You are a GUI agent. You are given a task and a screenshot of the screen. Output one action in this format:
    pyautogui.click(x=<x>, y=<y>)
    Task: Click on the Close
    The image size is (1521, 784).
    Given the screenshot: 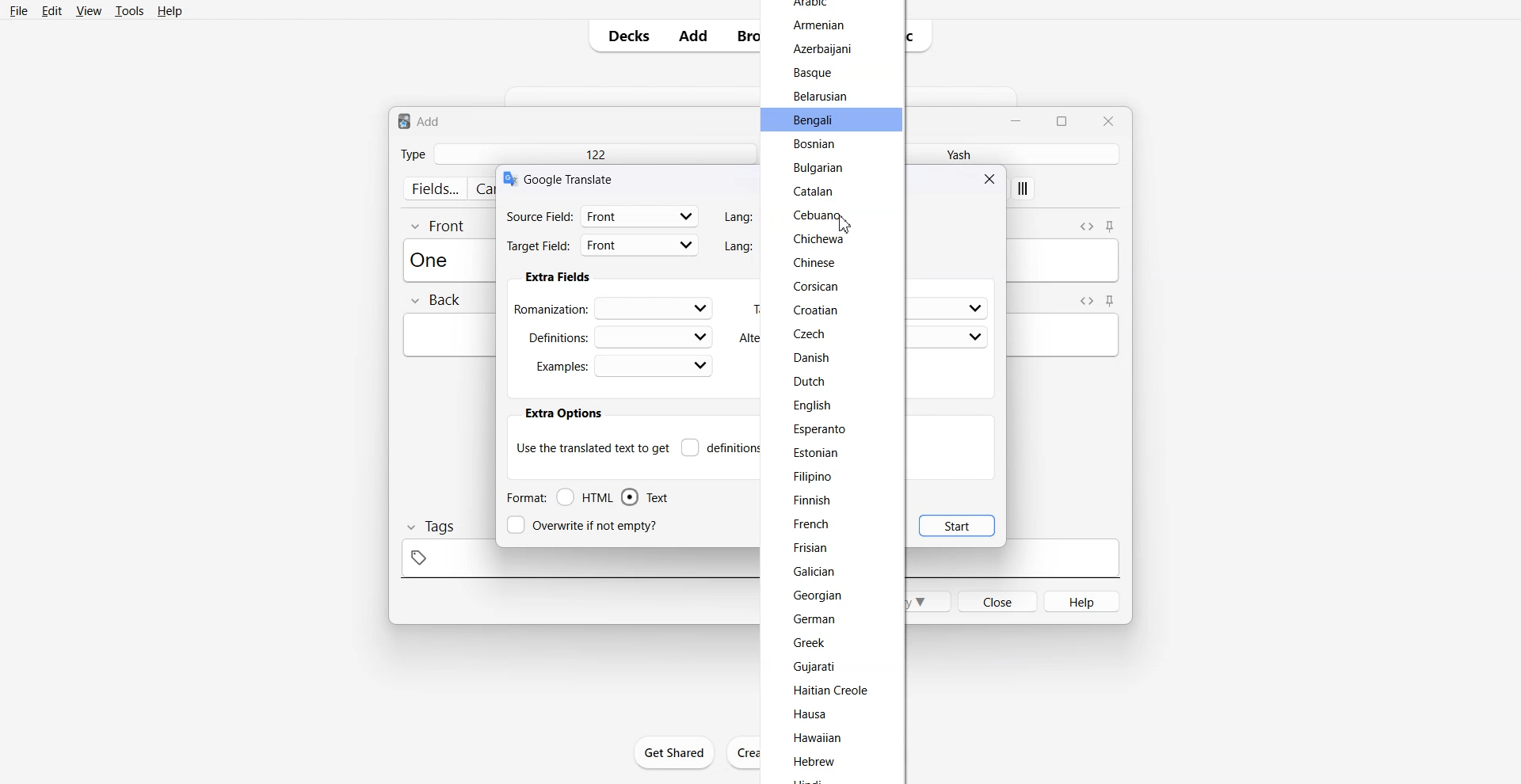 What is the action you would take?
    pyautogui.click(x=997, y=600)
    